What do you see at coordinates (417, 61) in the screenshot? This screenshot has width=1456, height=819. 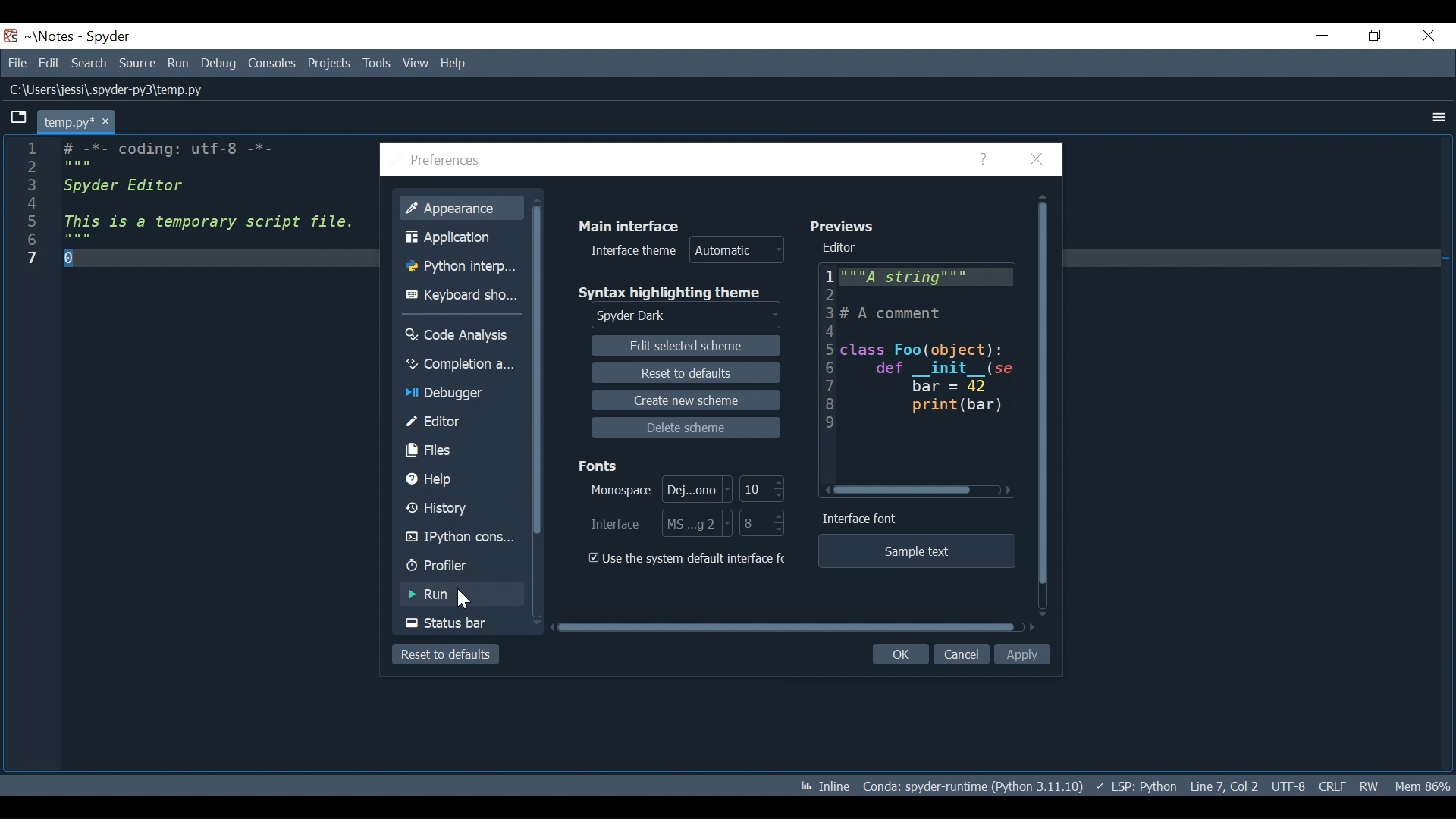 I see `View` at bounding box center [417, 61].